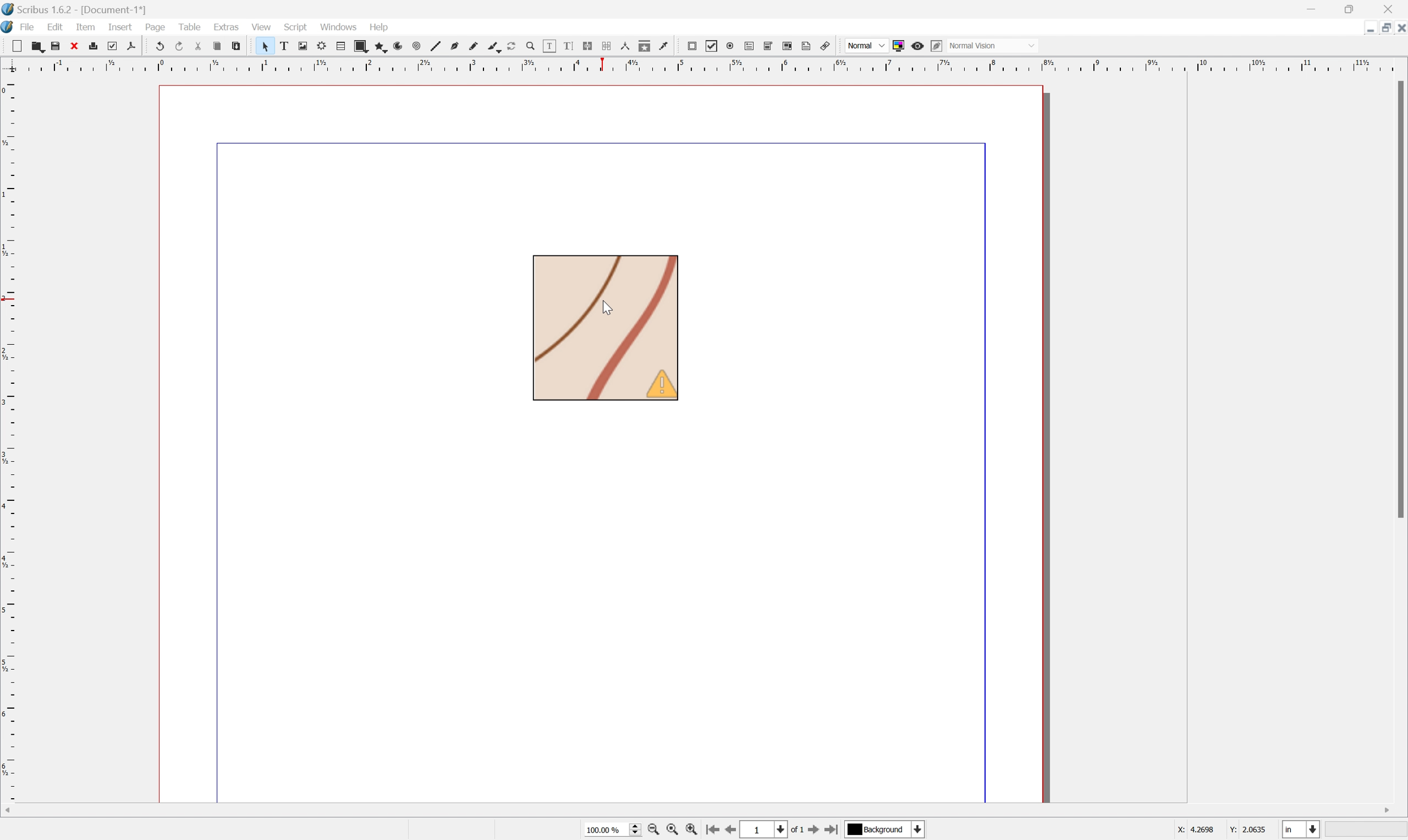 This screenshot has width=1408, height=840. What do you see at coordinates (1385, 808) in the screenshot?
I see `Scroll right` at bounding box center [1385, 808].